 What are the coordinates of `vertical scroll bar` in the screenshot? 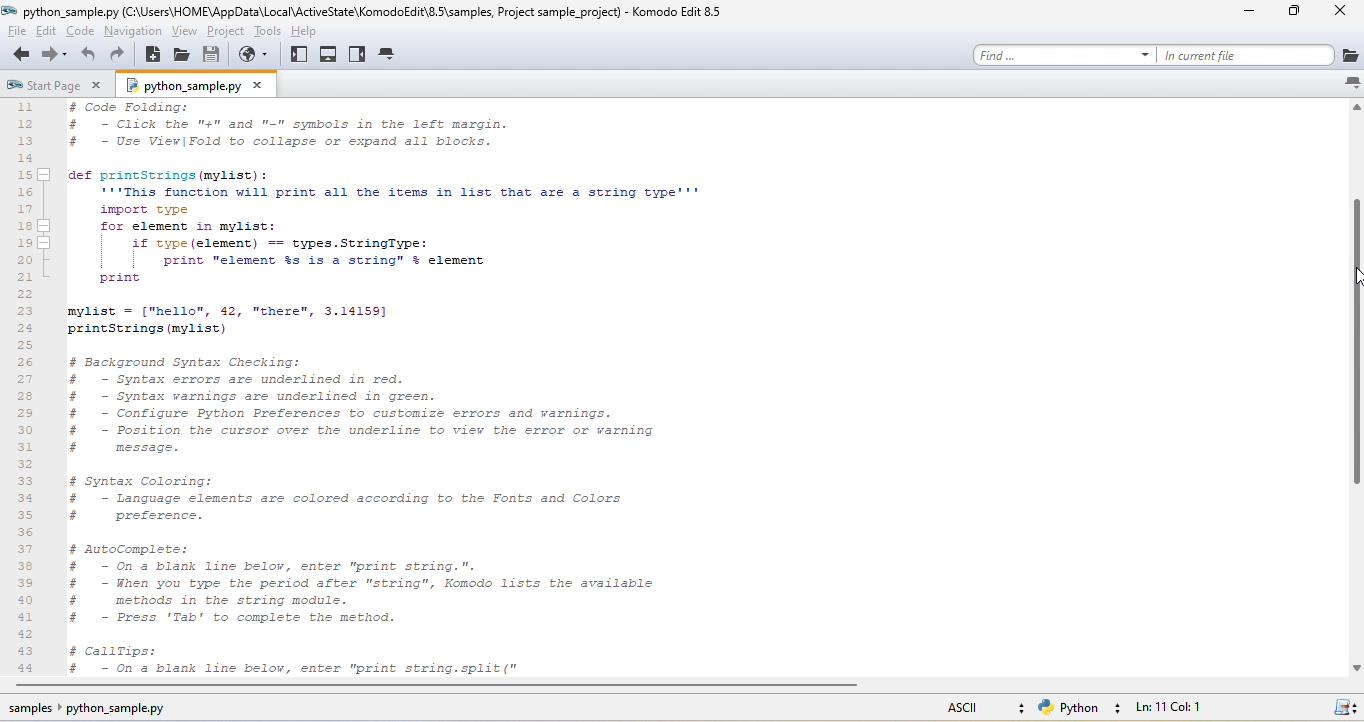 It's located at (1355, 342).